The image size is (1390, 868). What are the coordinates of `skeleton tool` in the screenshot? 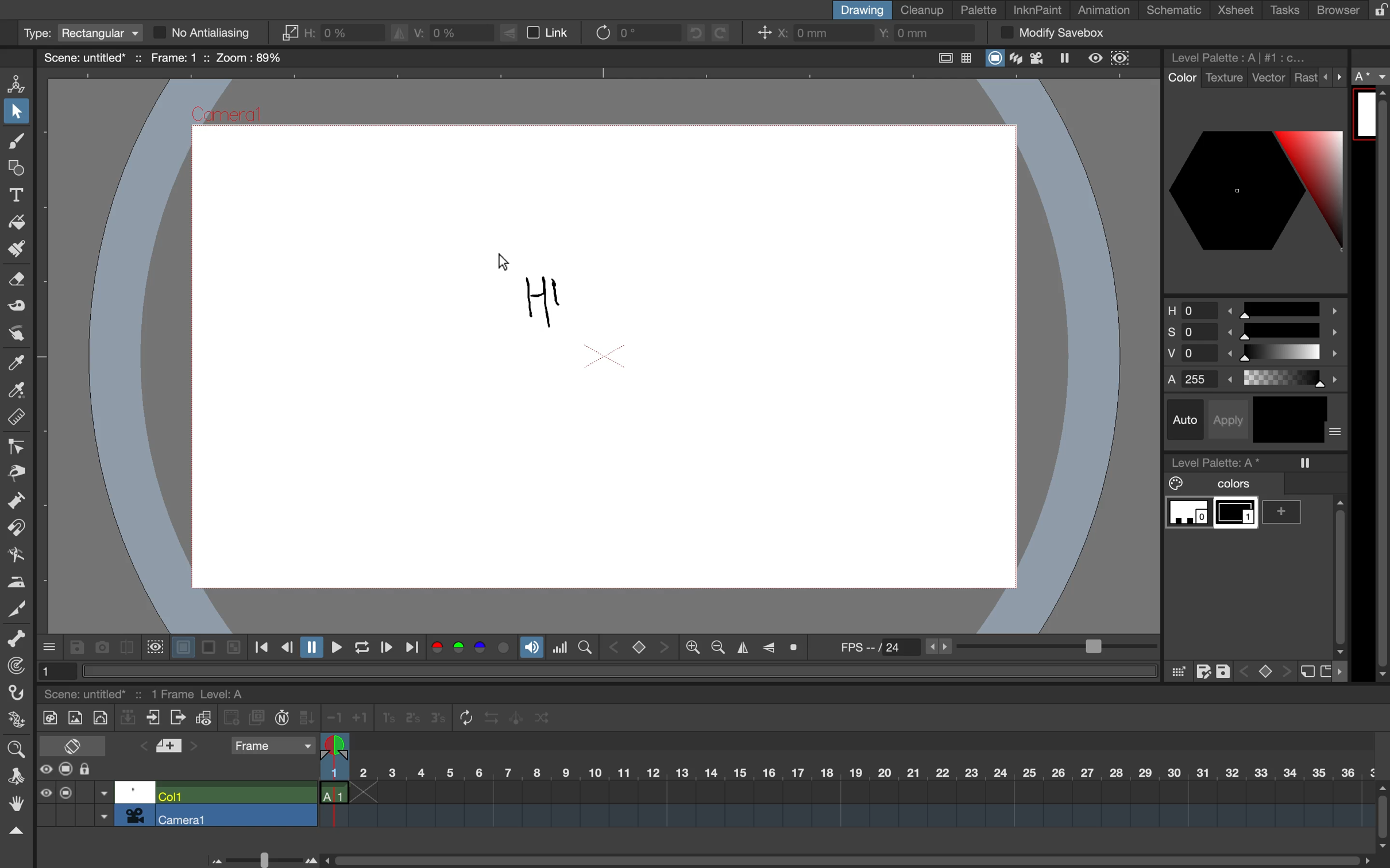 It's located at (17, 639).